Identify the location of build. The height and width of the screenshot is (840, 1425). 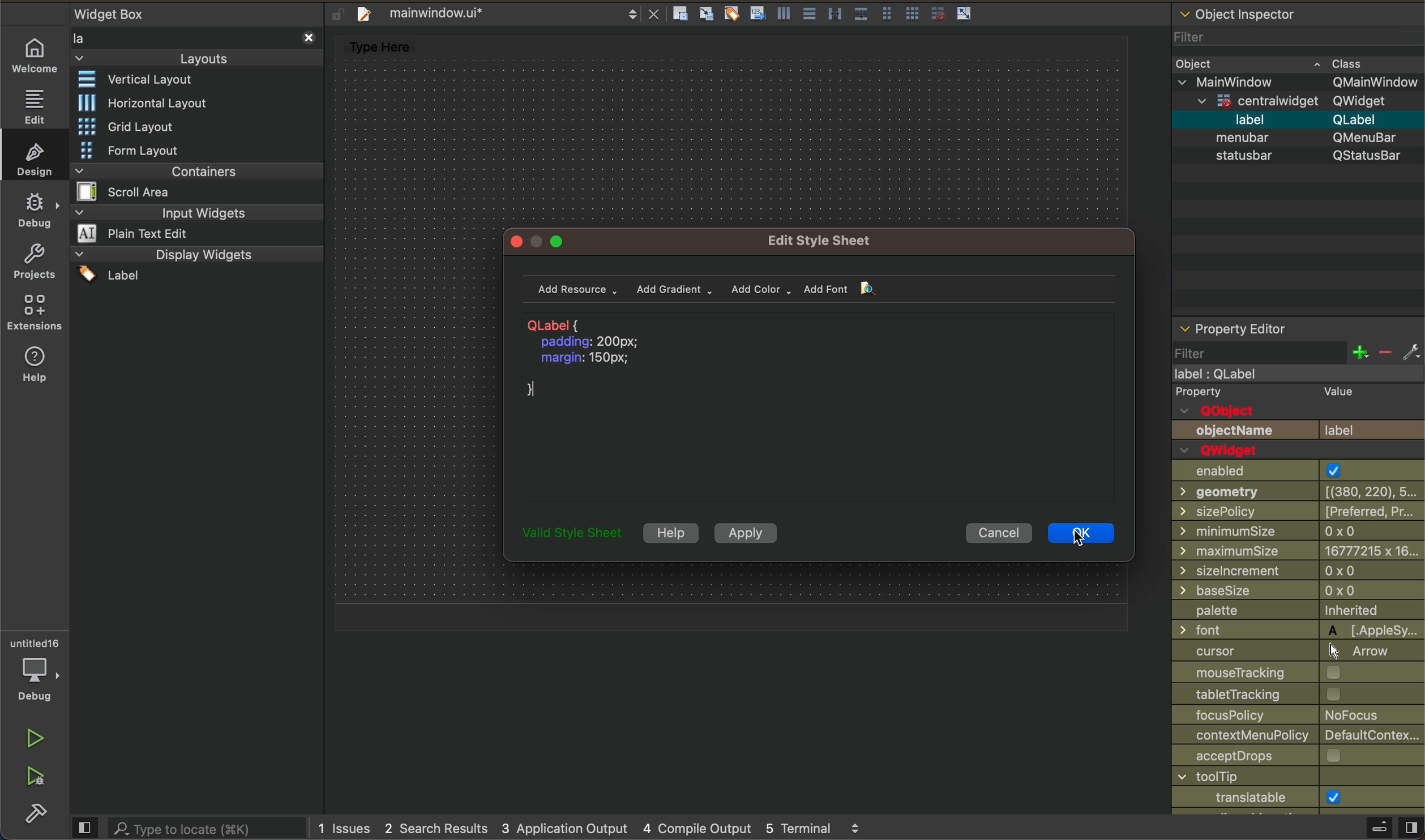
(37, 816).